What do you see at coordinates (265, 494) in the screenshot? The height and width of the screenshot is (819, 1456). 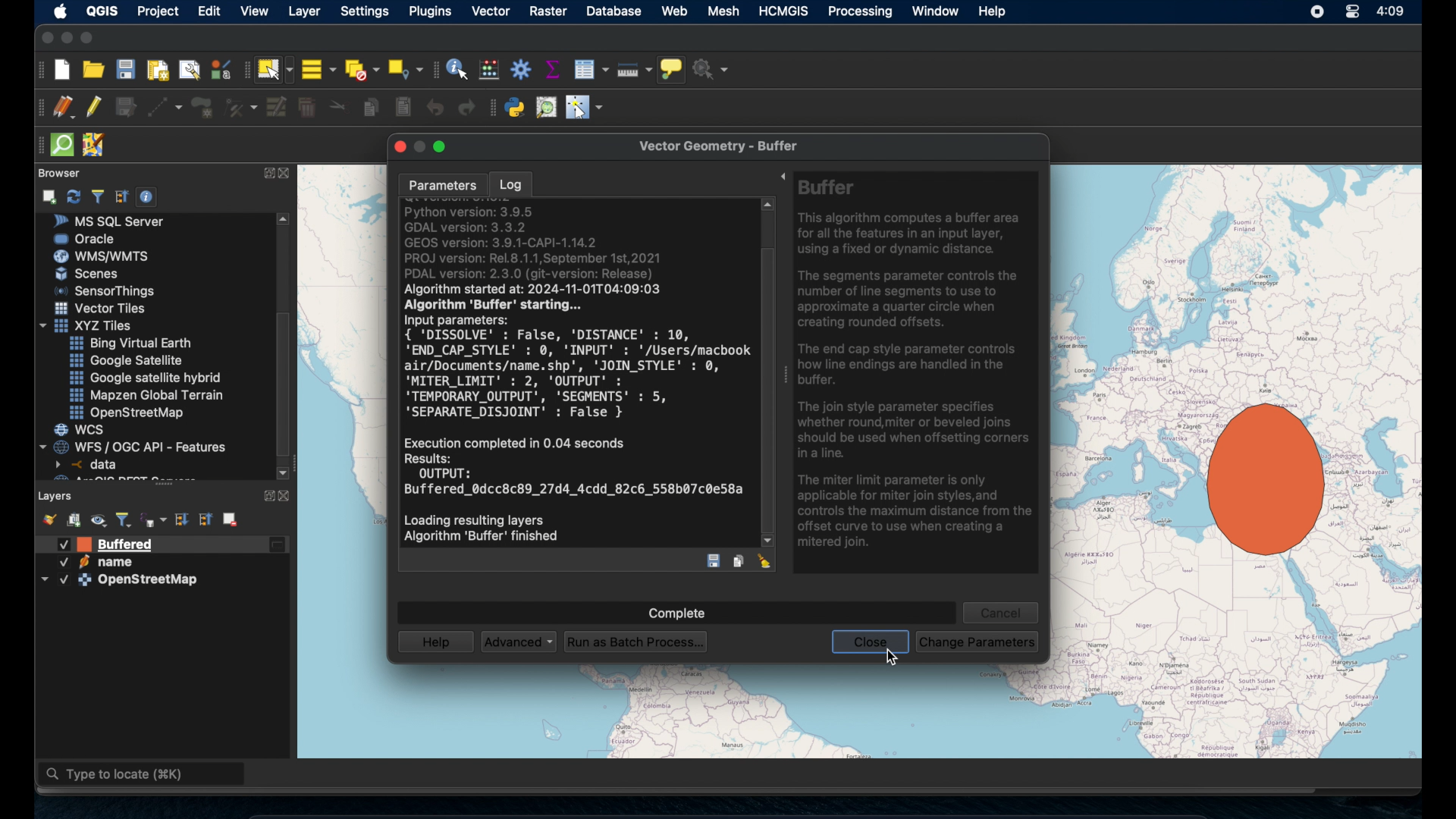 I see `expand` at bounding box center [265, 494].